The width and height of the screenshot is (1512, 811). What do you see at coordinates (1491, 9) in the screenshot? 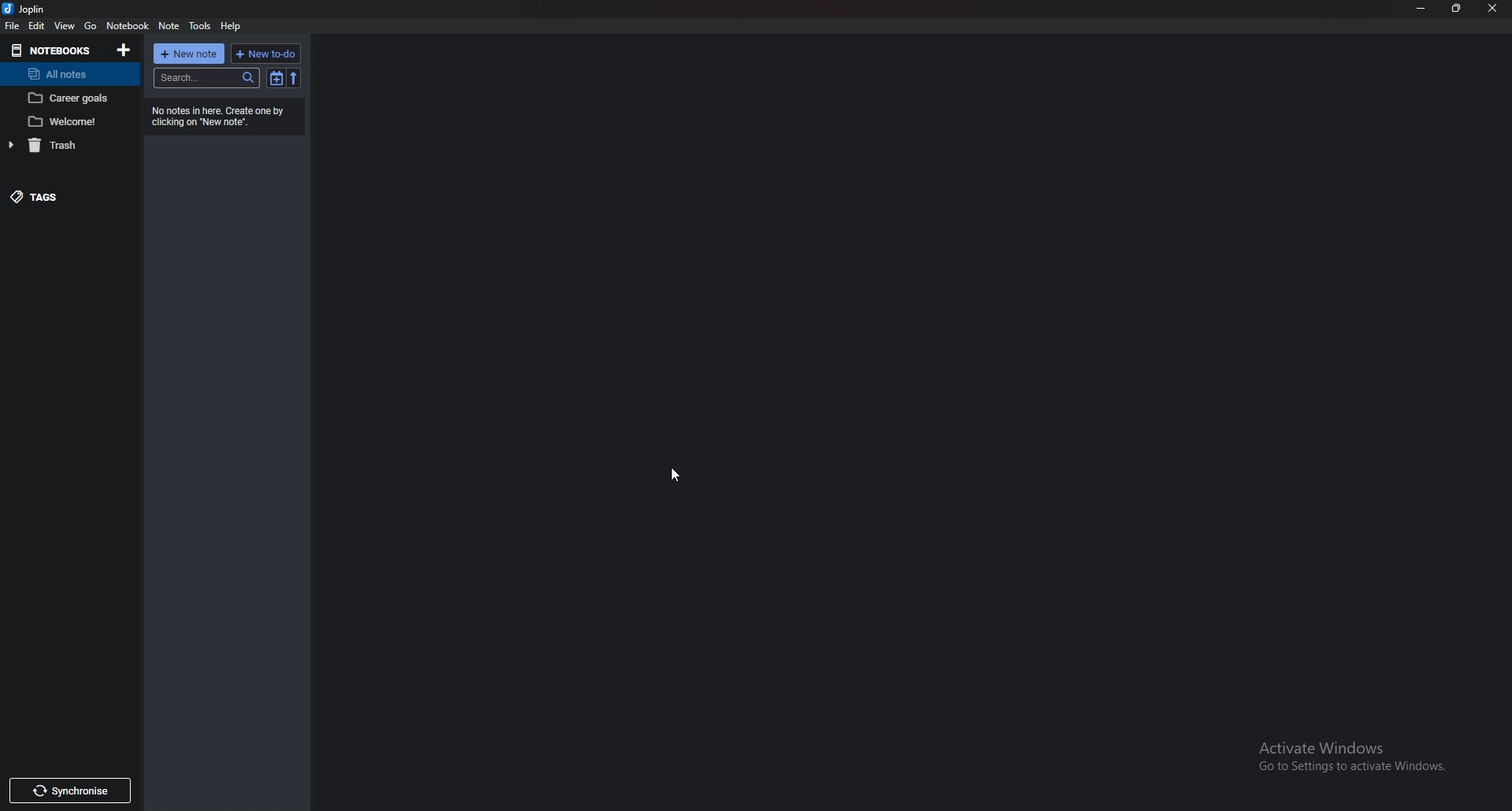
I see `close` at bounding box center [1491, 9].